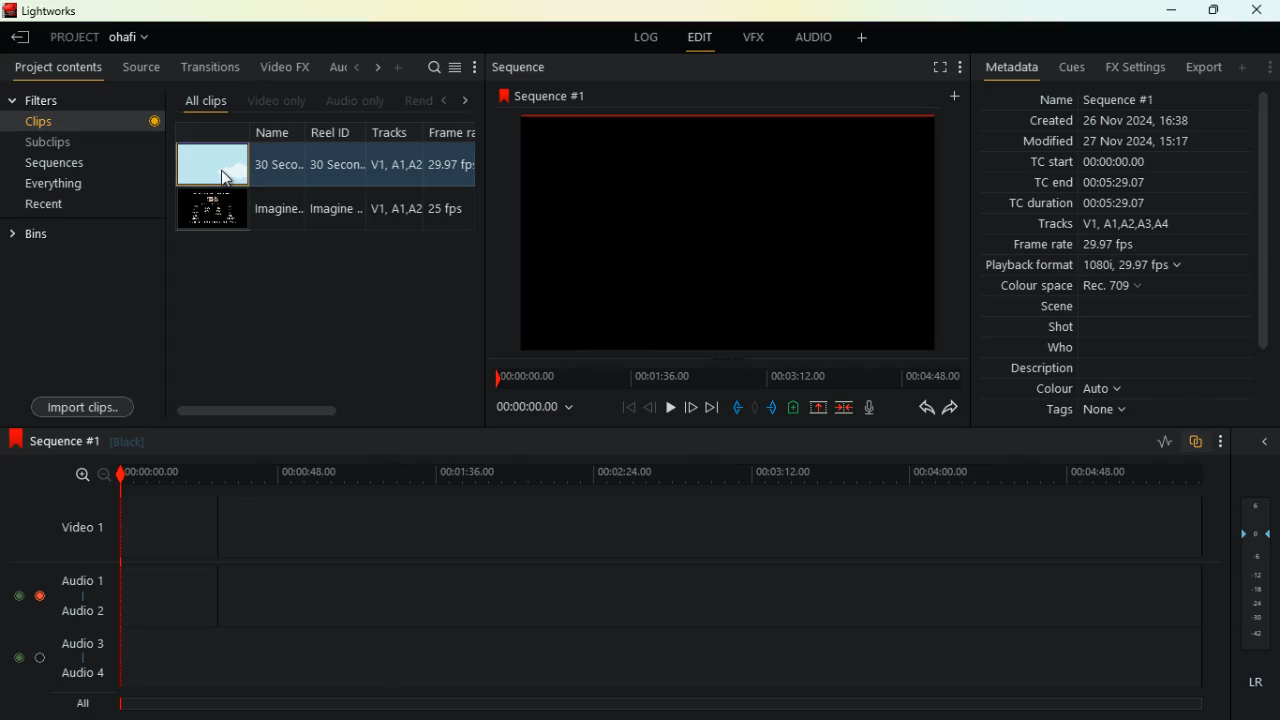 The width and height of the screenshot is (1280, 720). What do you see at coordinates (210, 211) in the screenshot?
I see `video` at bounding box center [210, 211].